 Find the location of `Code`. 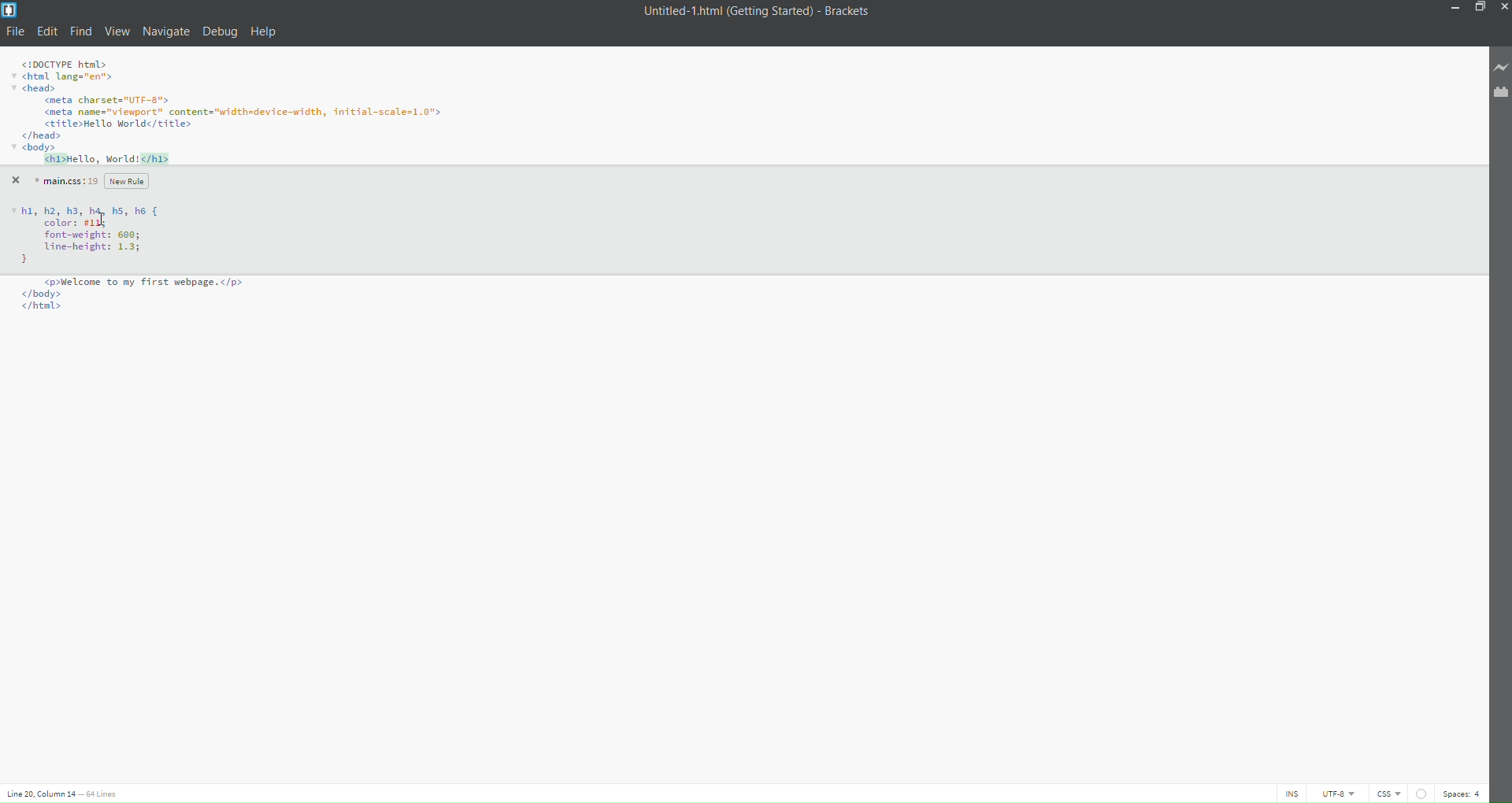

Code is located at coordinates (141, 301).